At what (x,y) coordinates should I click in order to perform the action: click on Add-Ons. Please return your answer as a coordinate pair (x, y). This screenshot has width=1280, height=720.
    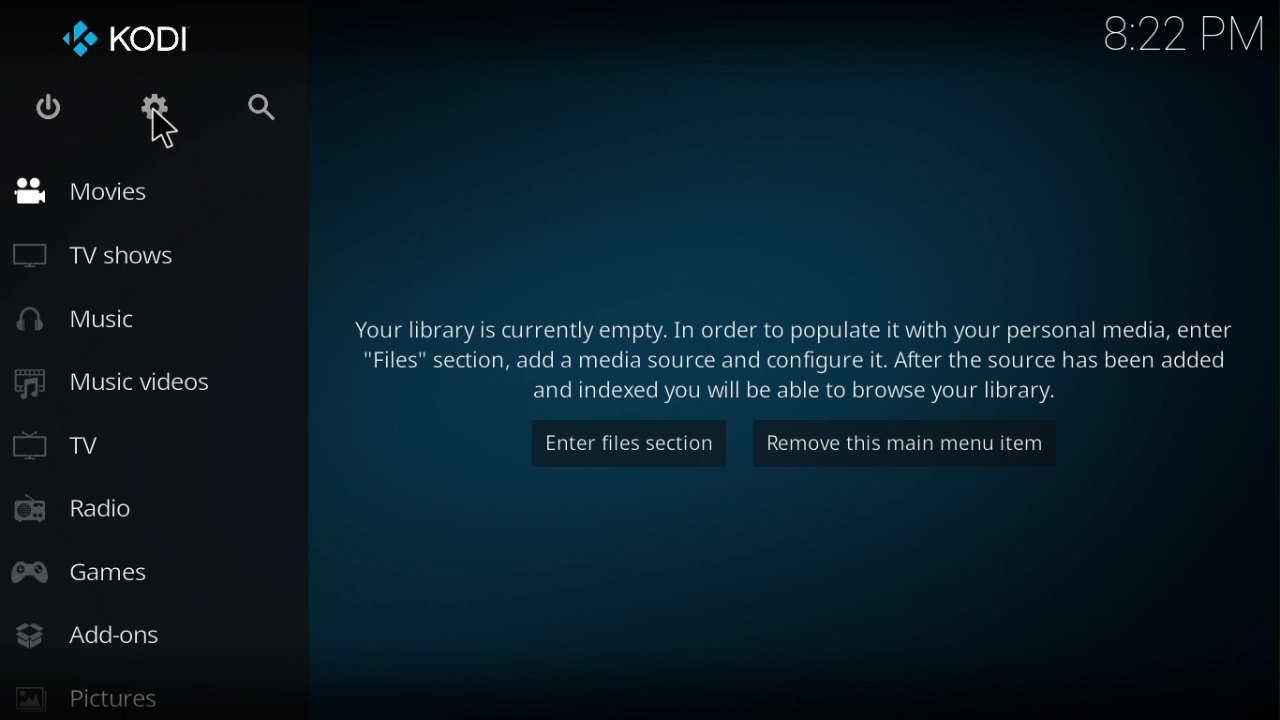
    Looking at the image, I should click on (89, 635).